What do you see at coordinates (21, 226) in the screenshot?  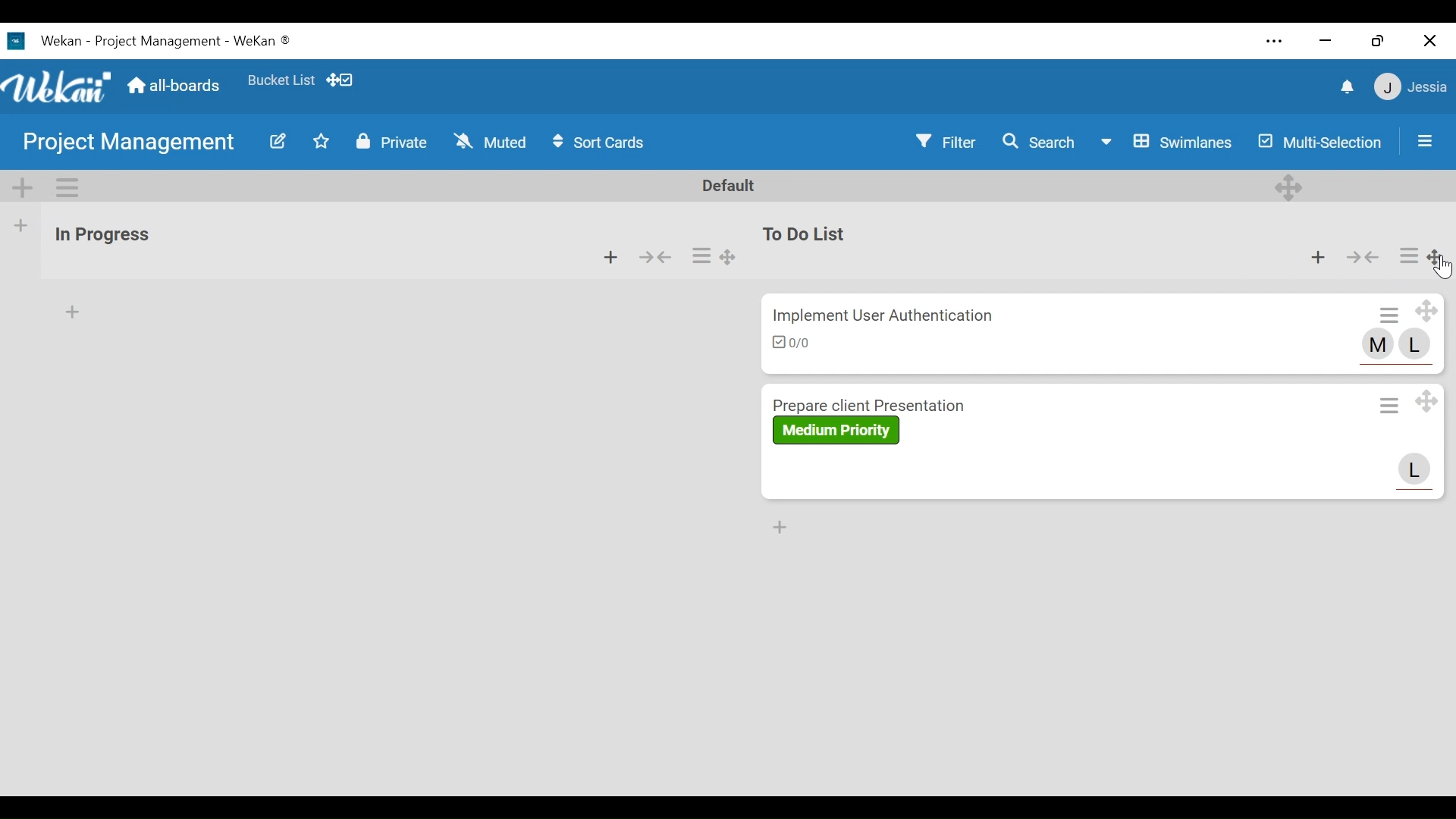 I see `Add list` at bounding box center [21, 226].